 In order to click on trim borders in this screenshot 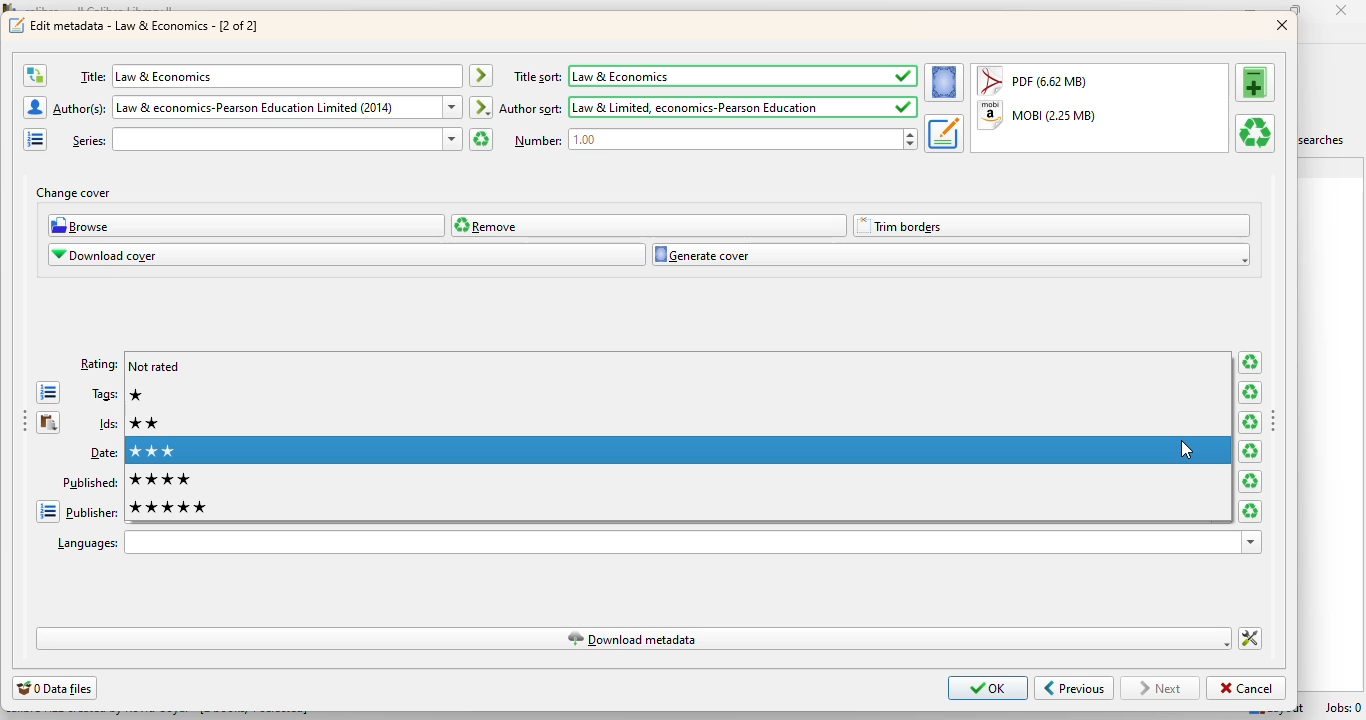, I will do `click(1053, 226)`.